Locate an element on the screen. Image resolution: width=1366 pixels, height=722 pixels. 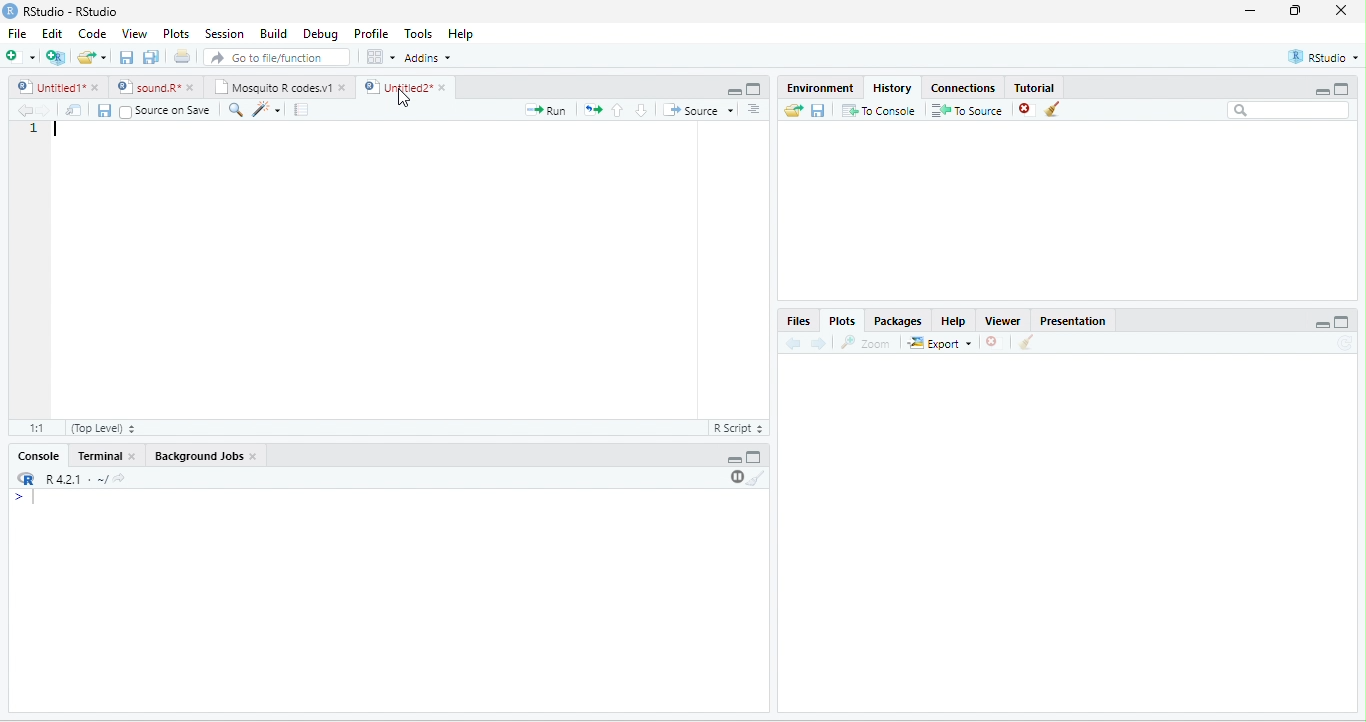
Run file is located at coordinates (545, 110).